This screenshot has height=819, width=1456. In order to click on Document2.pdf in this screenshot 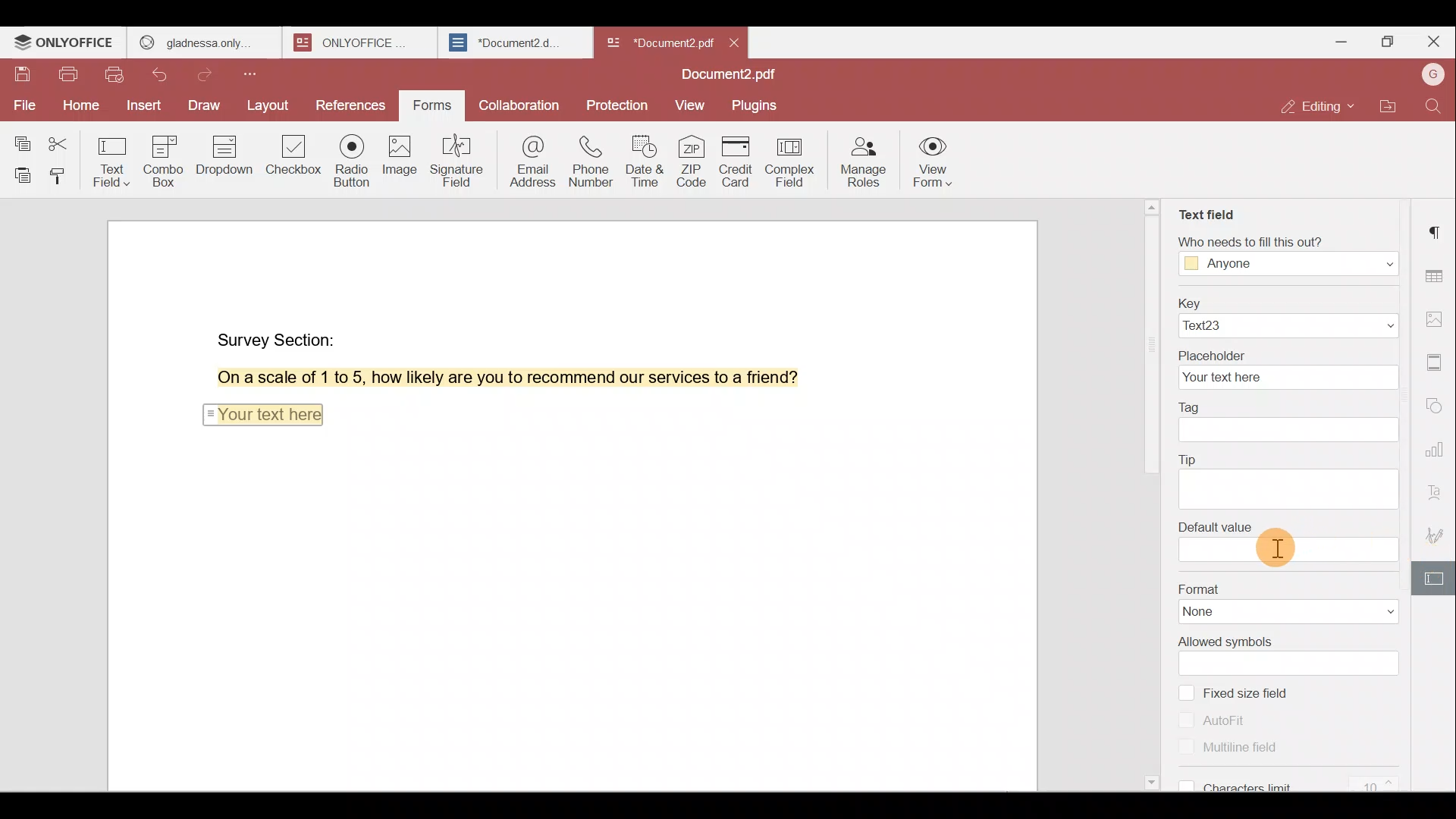, I will do `click(657, 42)`.